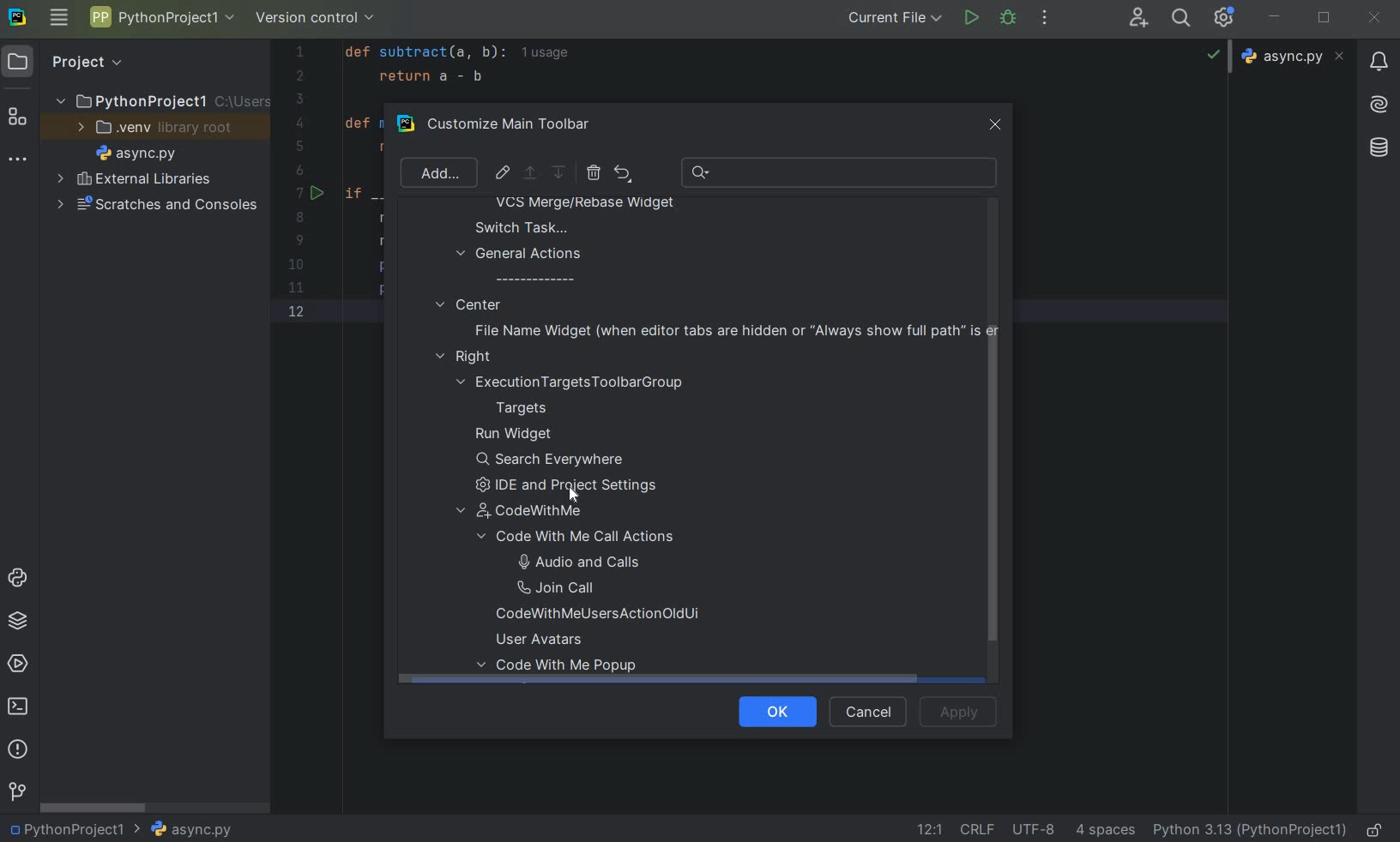  Describe the element at coordinates (1373, 19) in the screenshot. I see `CLOSE` at that location.